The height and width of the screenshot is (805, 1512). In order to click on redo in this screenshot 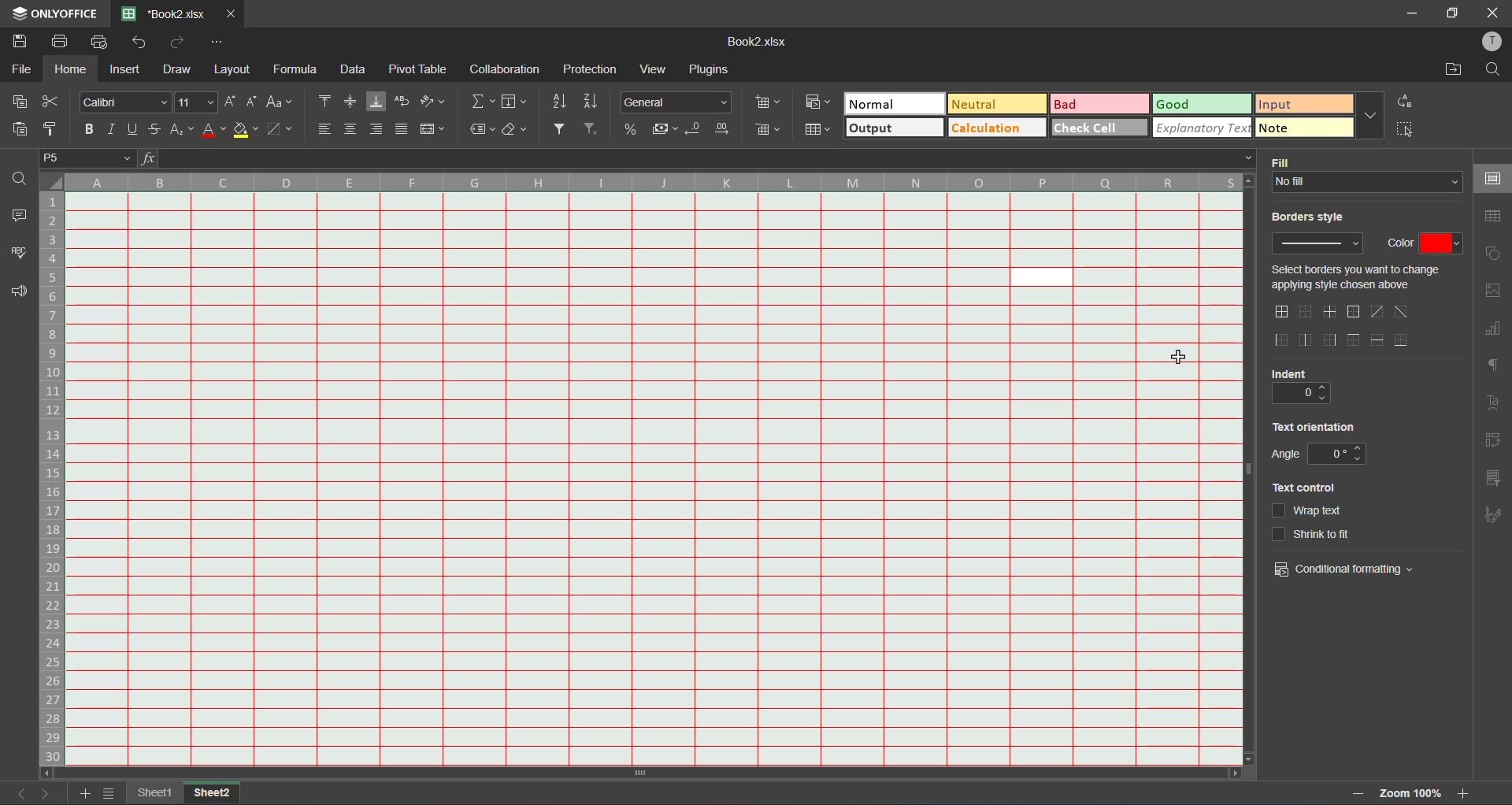, I will do `click(180, 44)`.